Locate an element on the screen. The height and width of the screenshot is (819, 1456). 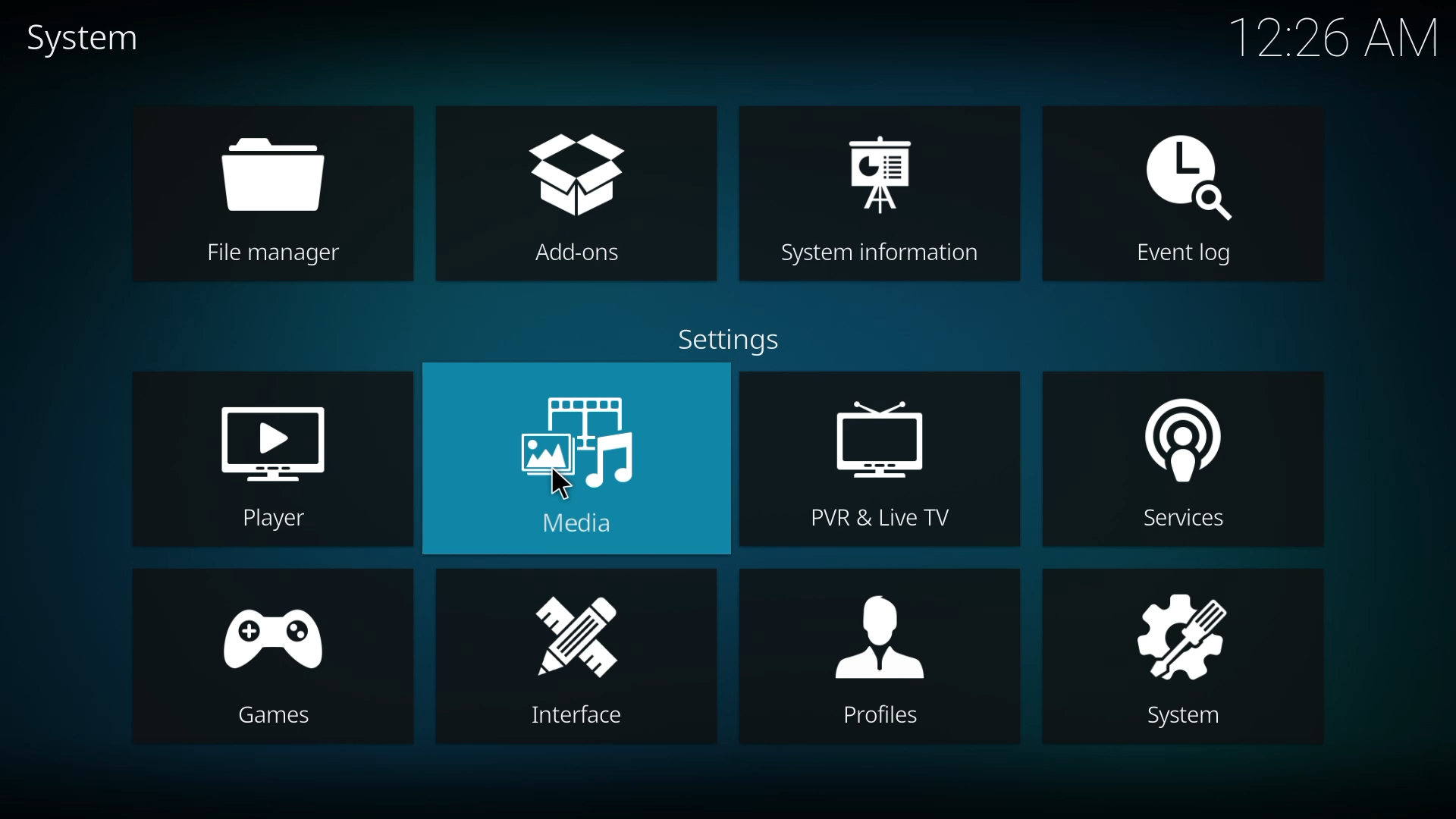
settings is located at coordinates (731, 336).